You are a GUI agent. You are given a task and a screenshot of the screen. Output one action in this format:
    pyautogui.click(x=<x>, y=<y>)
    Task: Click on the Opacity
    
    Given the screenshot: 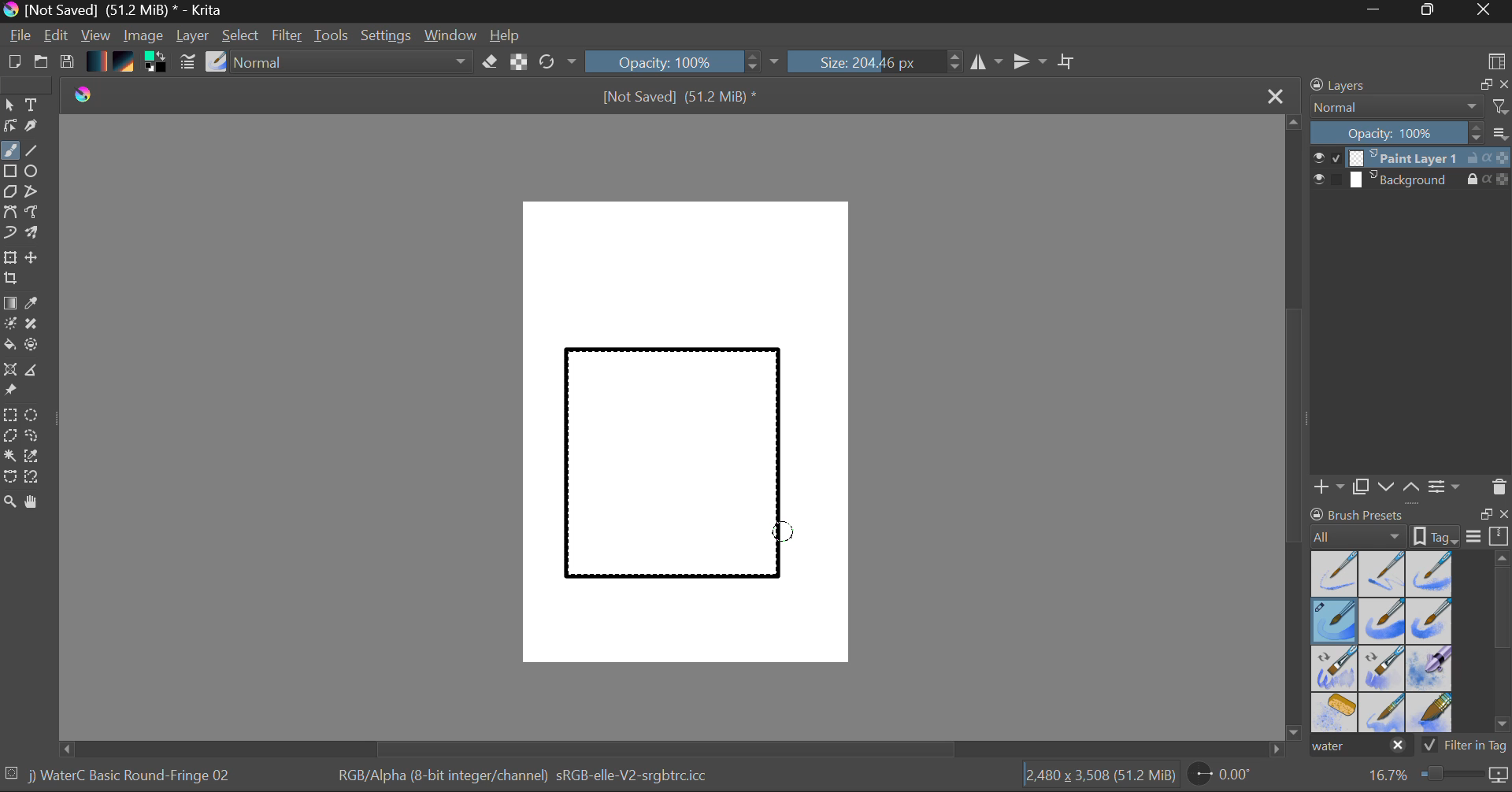 What is the action you would take?
    pyautogui.click(x=684, y=61)
    